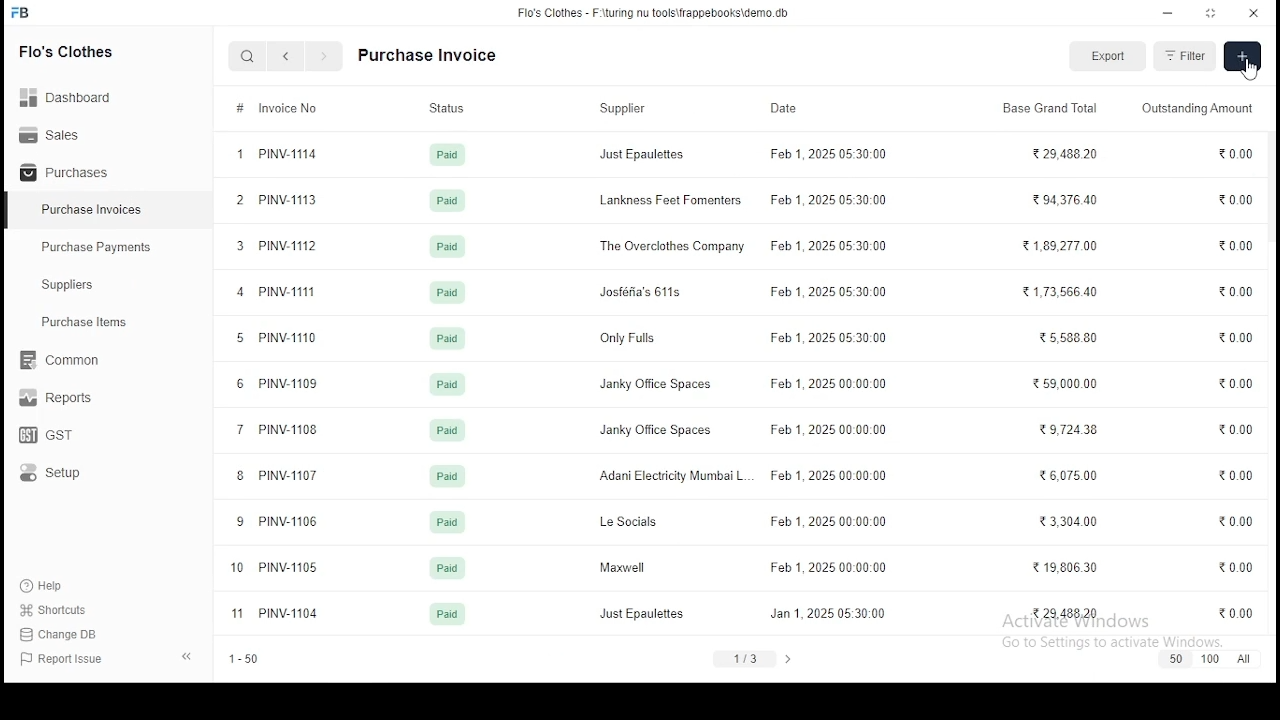 This screenshot has height=720, width=1280. I want to click on 4, so click(240, 293).